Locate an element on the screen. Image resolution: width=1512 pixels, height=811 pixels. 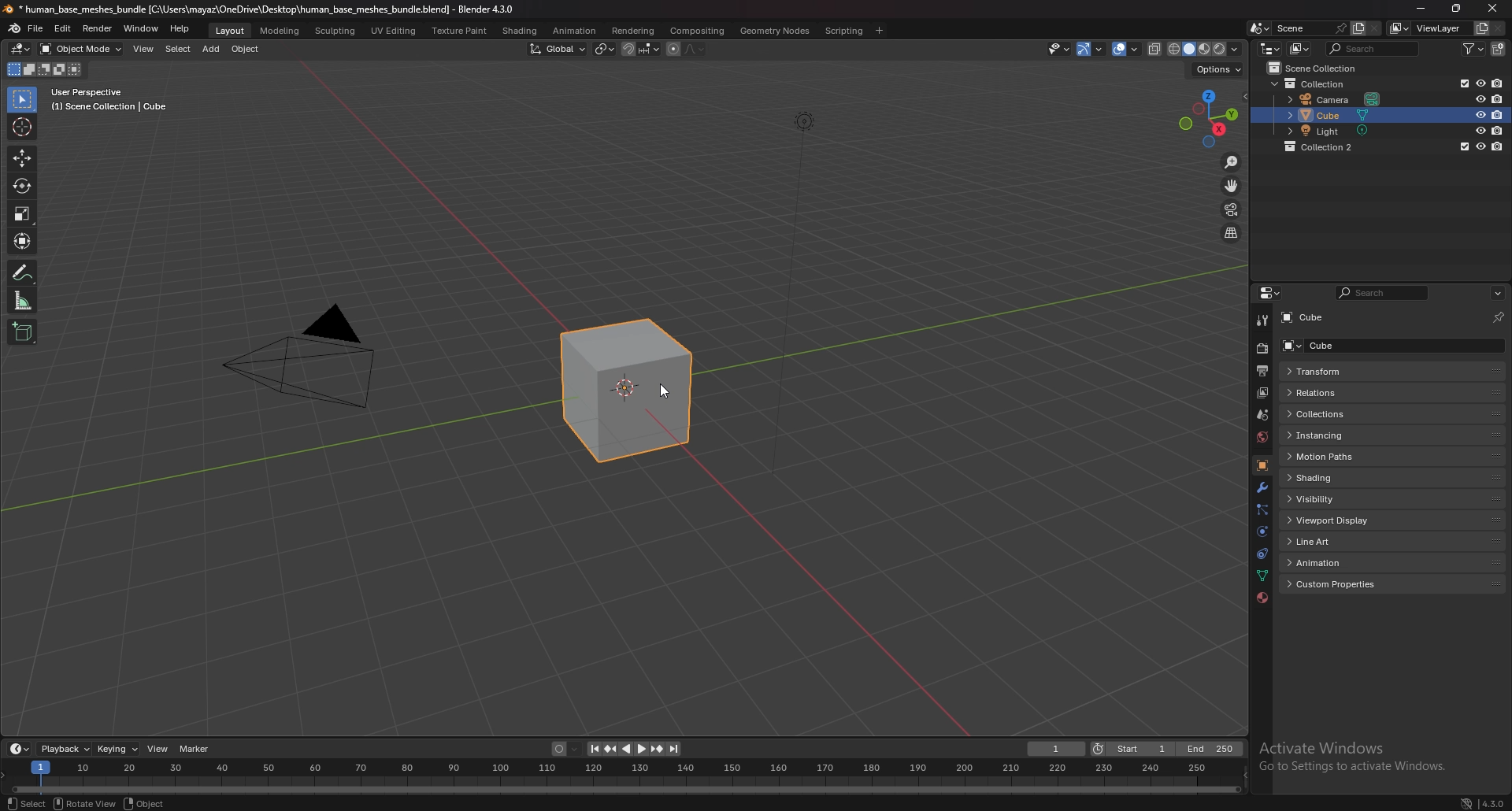
relations is located at coordinates (1342, 392).